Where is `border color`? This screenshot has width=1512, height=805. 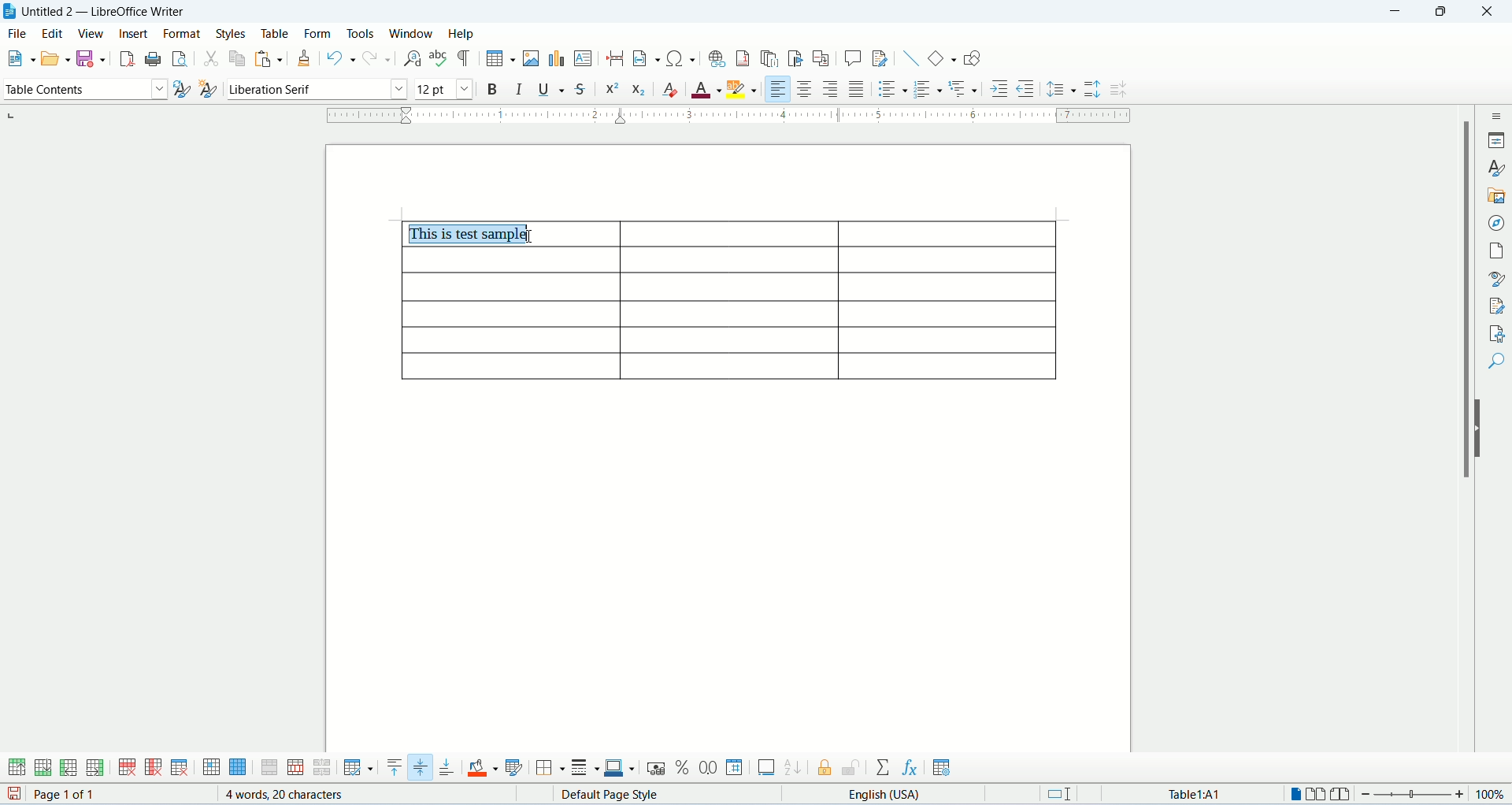
border color is located at coordinates (621, 770).